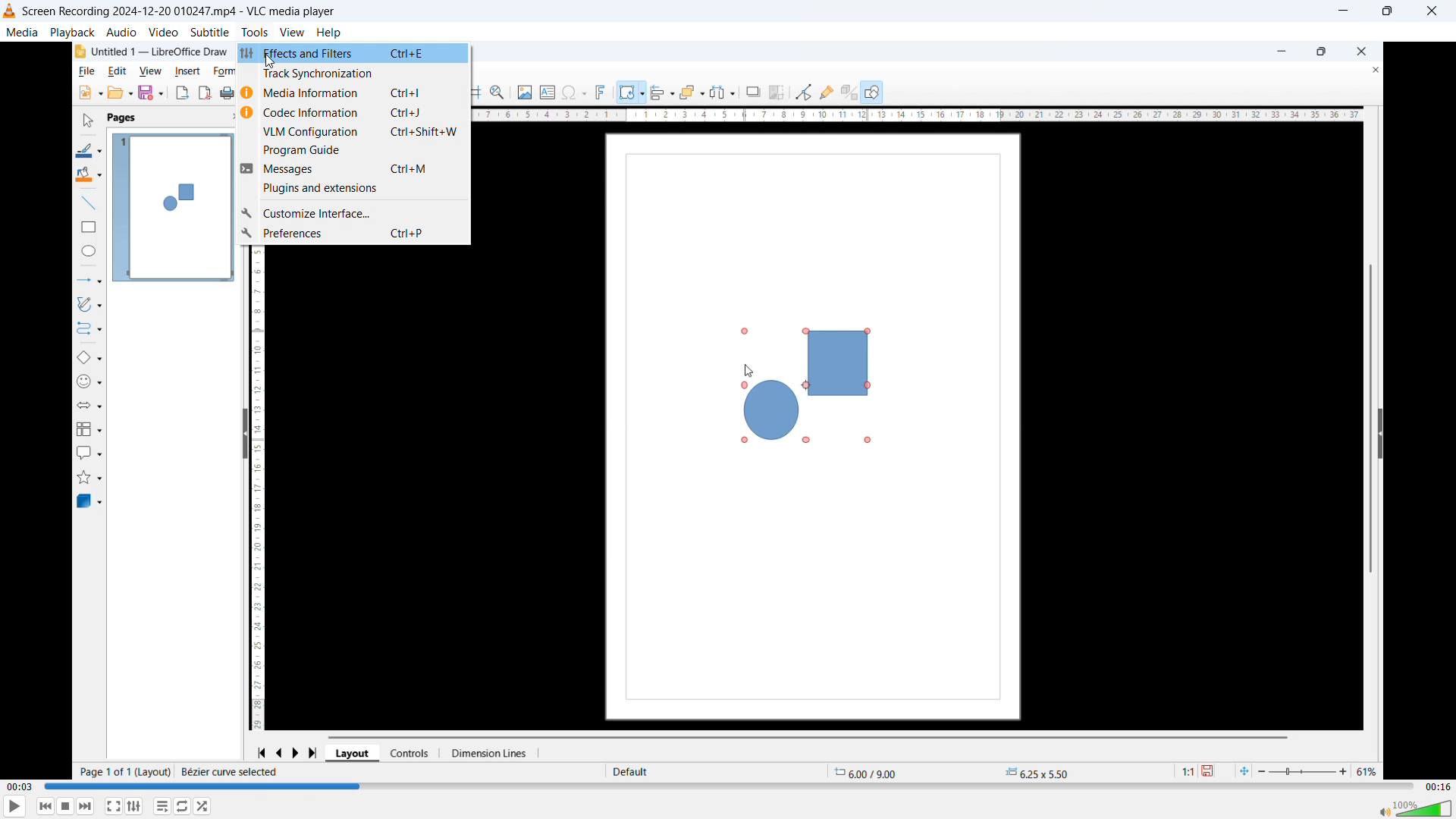  What do you see at coordinates (353, 190) in the screenshot?
I see `Plugins and extensions ` at bounding box center [353, 190].